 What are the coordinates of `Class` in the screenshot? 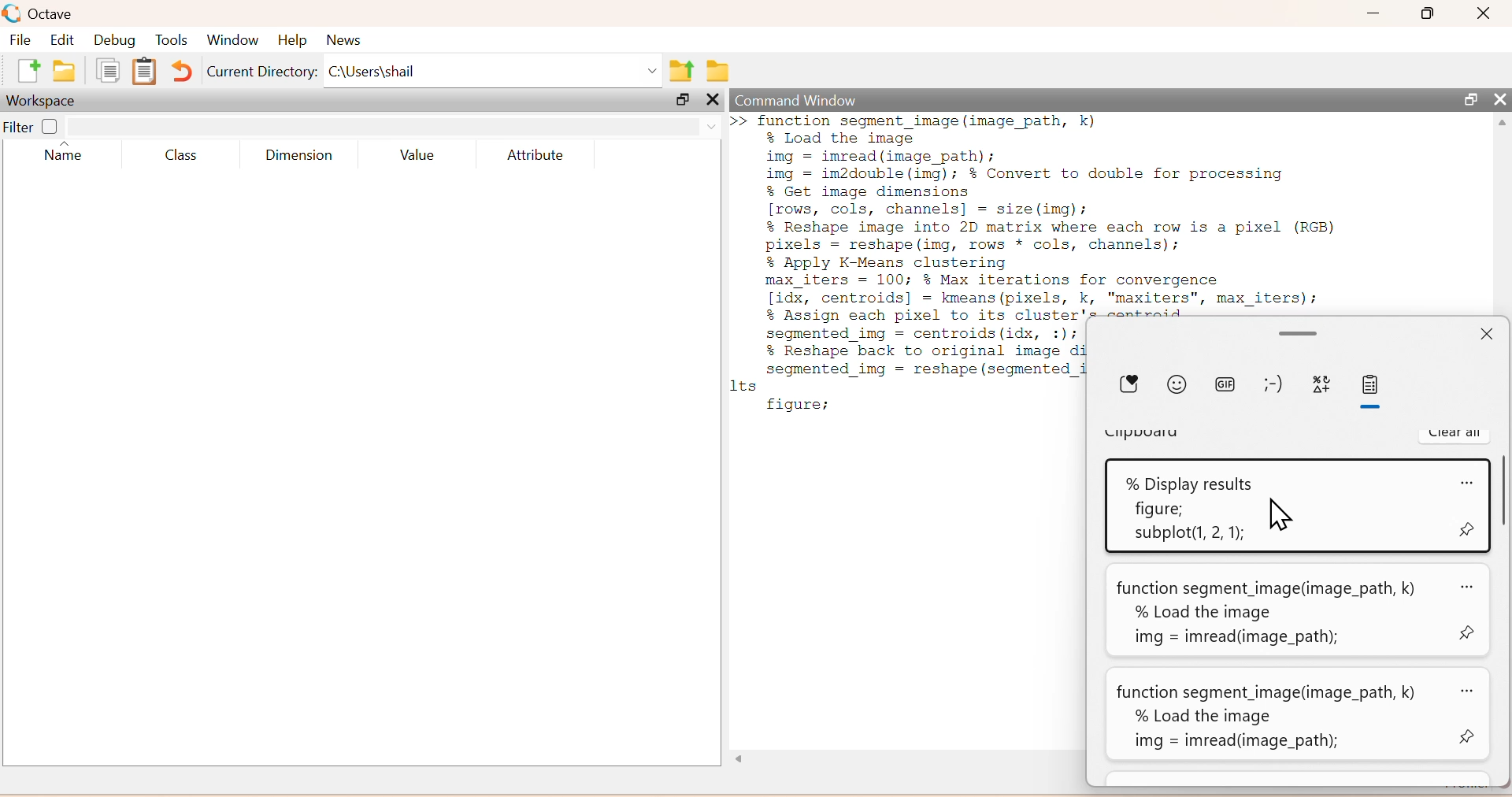 It's located at (184, 156).